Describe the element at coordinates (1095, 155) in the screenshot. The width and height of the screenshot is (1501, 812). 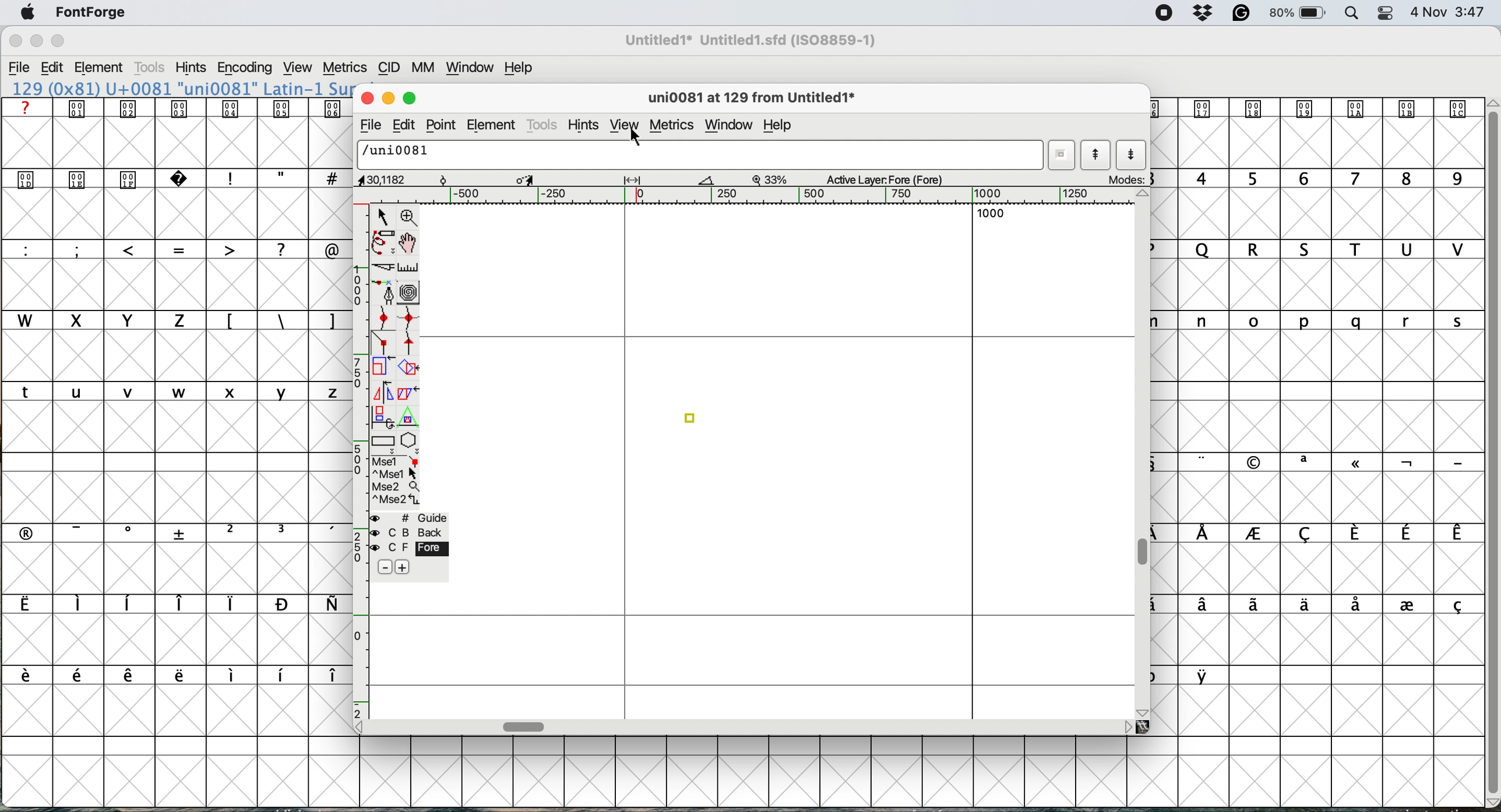
I see `show previous letter` at that location.